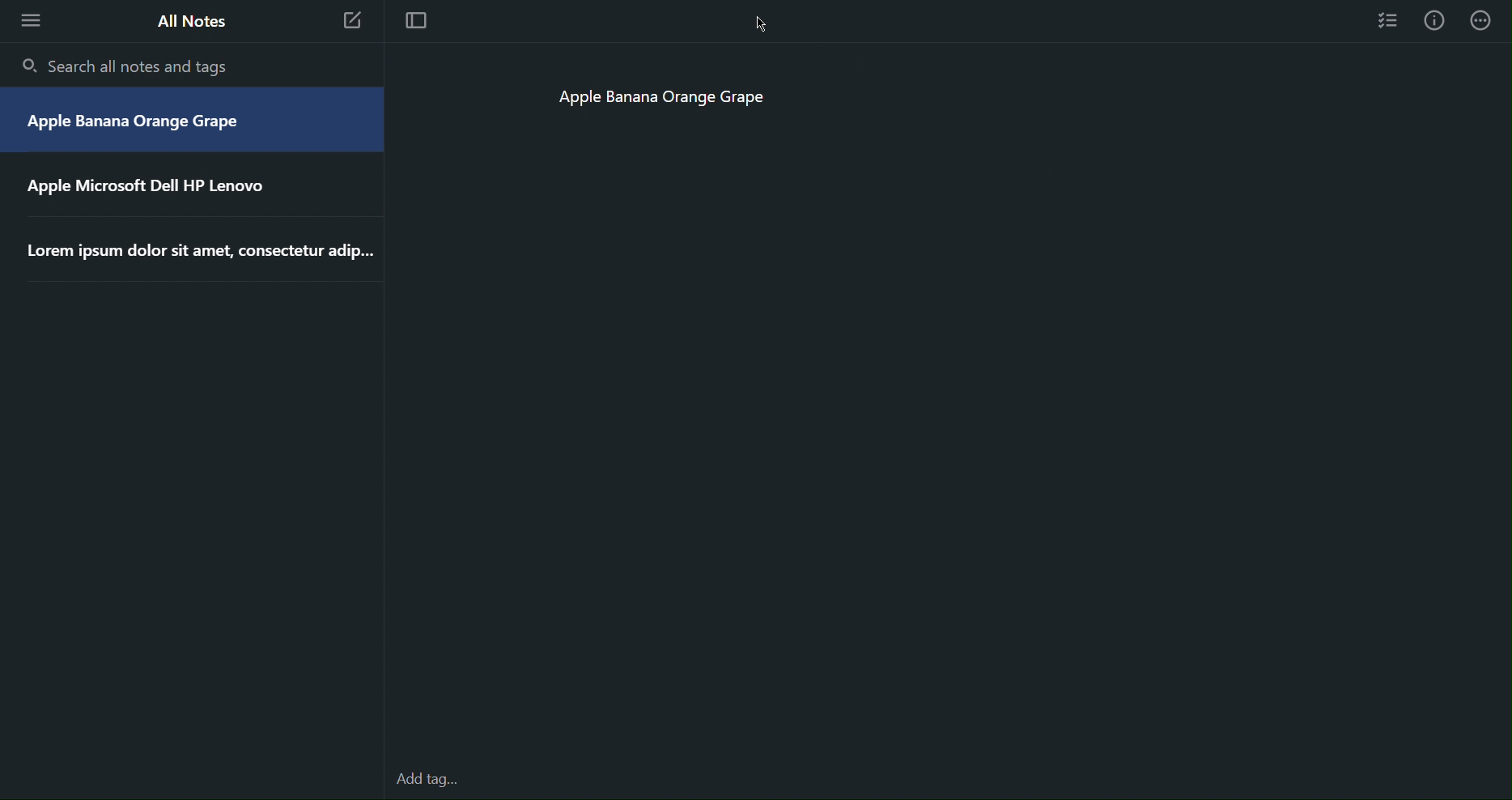 The height and width of the screenshot is (800, 1512). I want to click on All Notes, so click(189, 21).